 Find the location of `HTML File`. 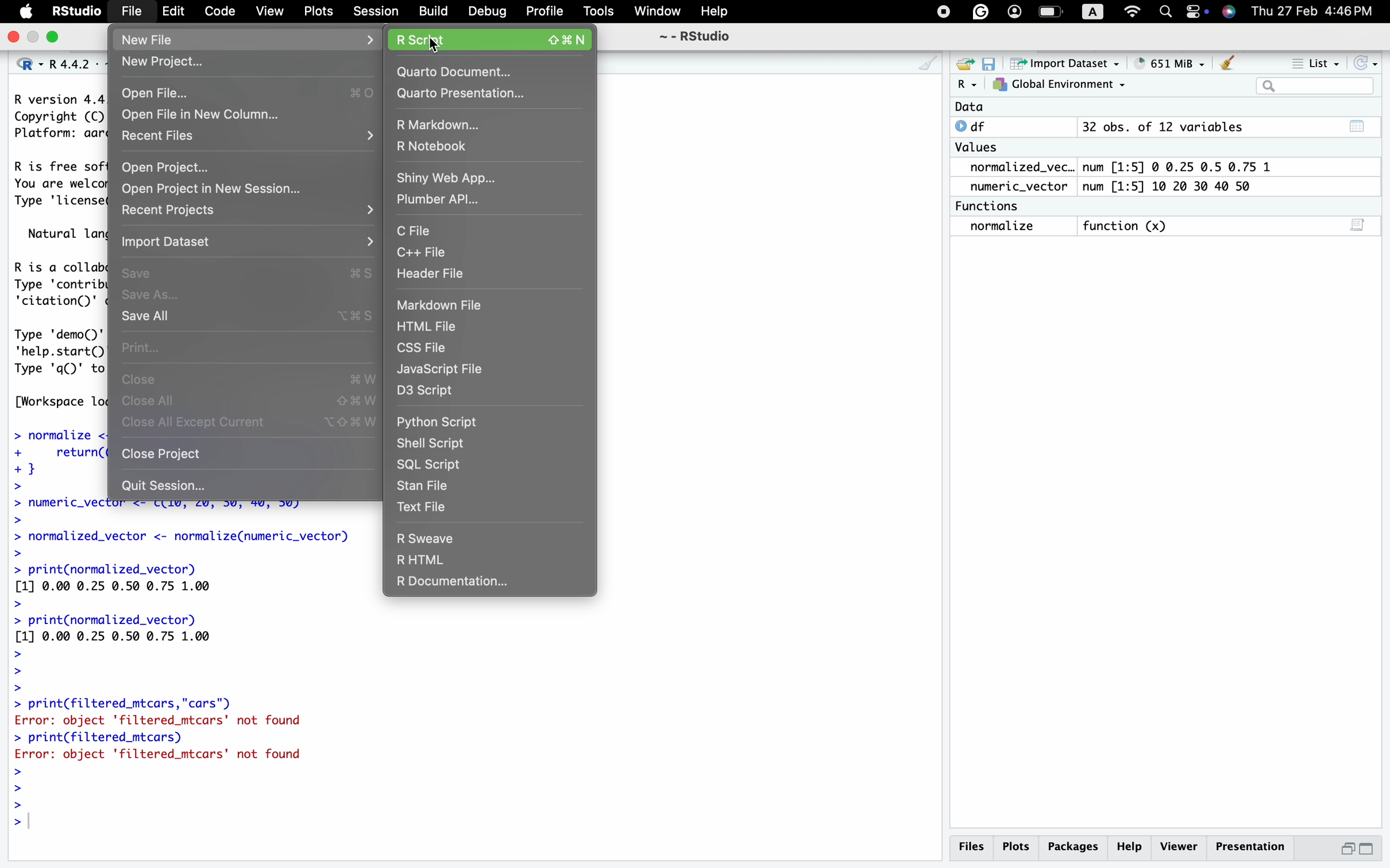

HTML File is located at coordinates (435, 327).